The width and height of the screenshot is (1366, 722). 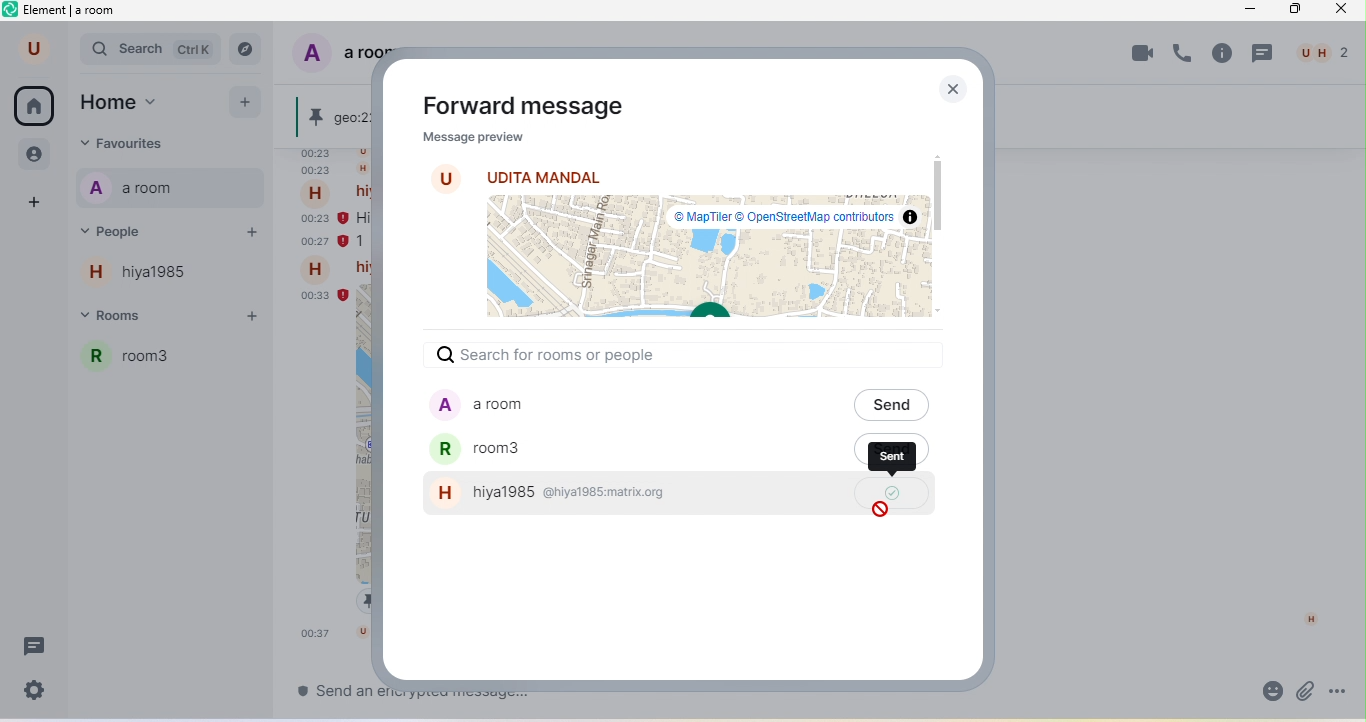 What do you see at coordinates (1353, 539) in the screenshot?
I see `vertical scroll bar` at bounding box center [1353, 539].